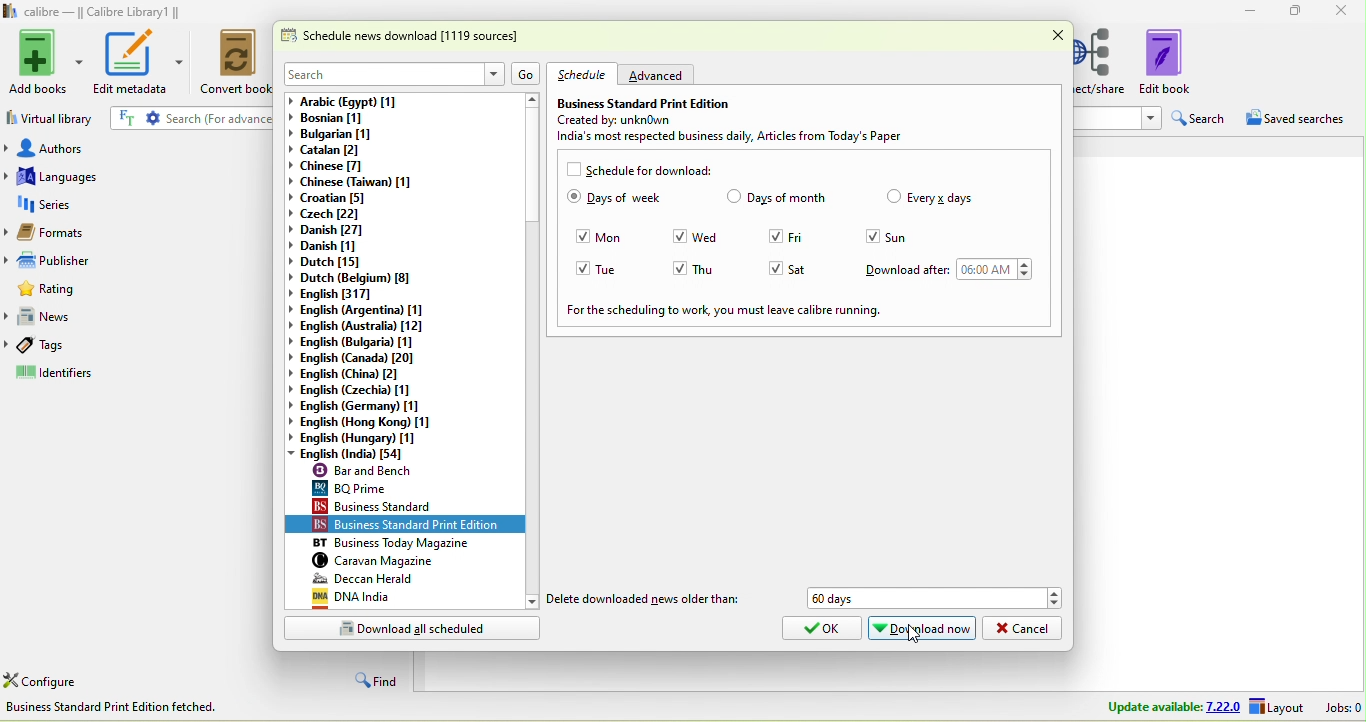 The height and width of the screenshot is (722, 1366). Describe the element at coordinates (733, 198) in the screenshot. I see `Checkbox` at that location.